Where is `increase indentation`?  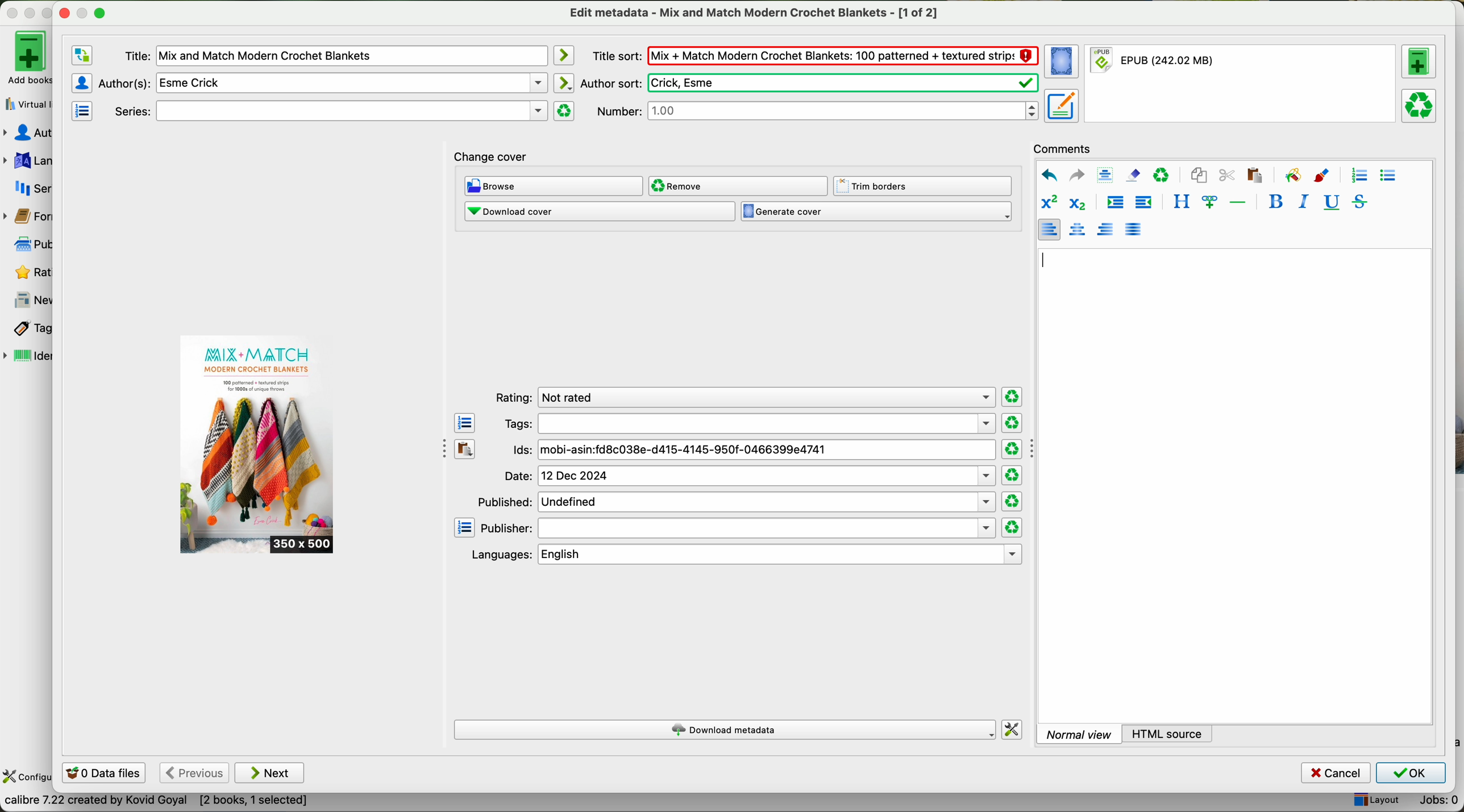
increase indentation is located at coordinates (1114, 204).